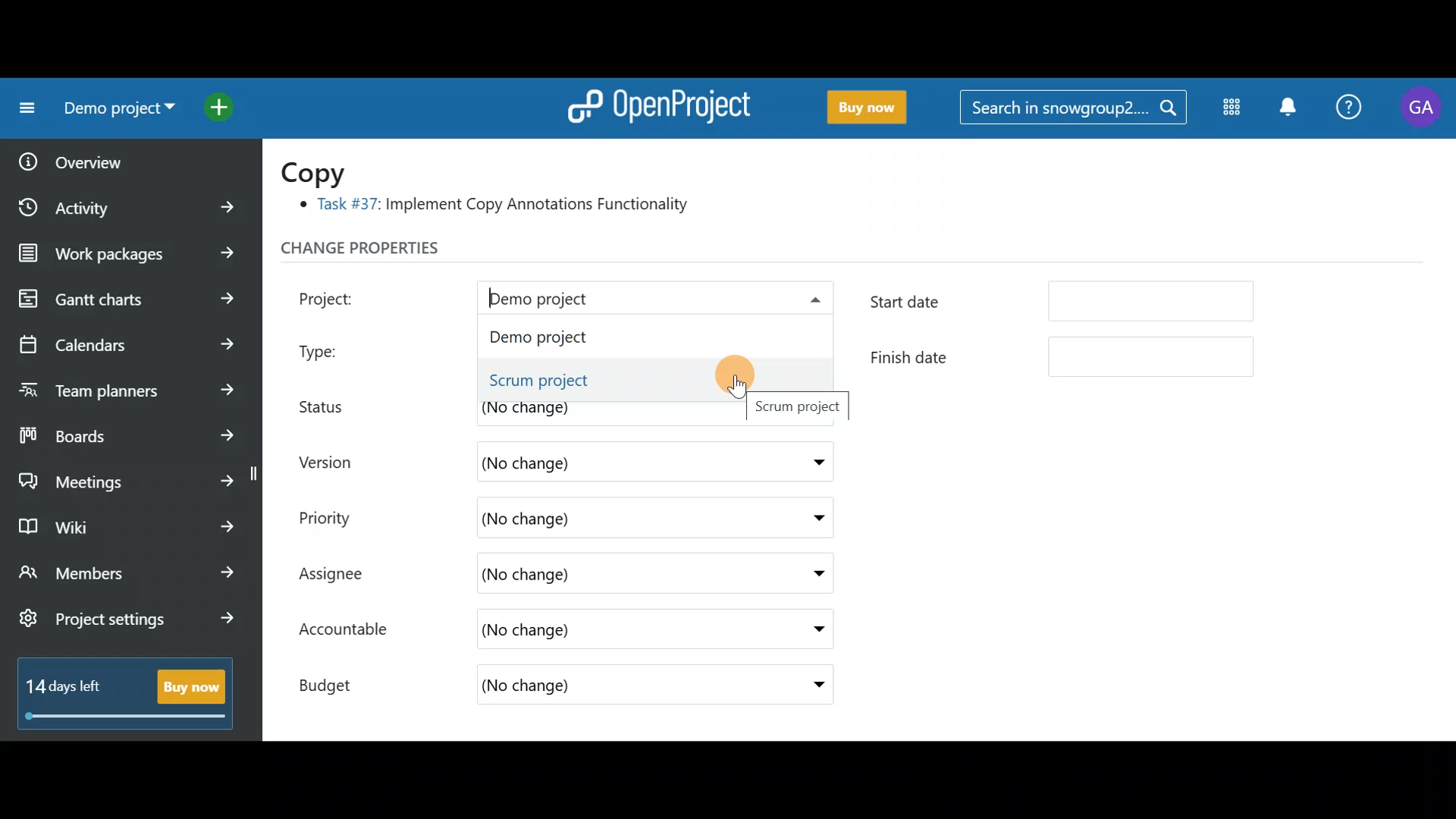 The width and height of the screenshot is (1456, 819). Describe the element at coordinates (582, 632) in the screenshot. I see `(No change)` at that location.